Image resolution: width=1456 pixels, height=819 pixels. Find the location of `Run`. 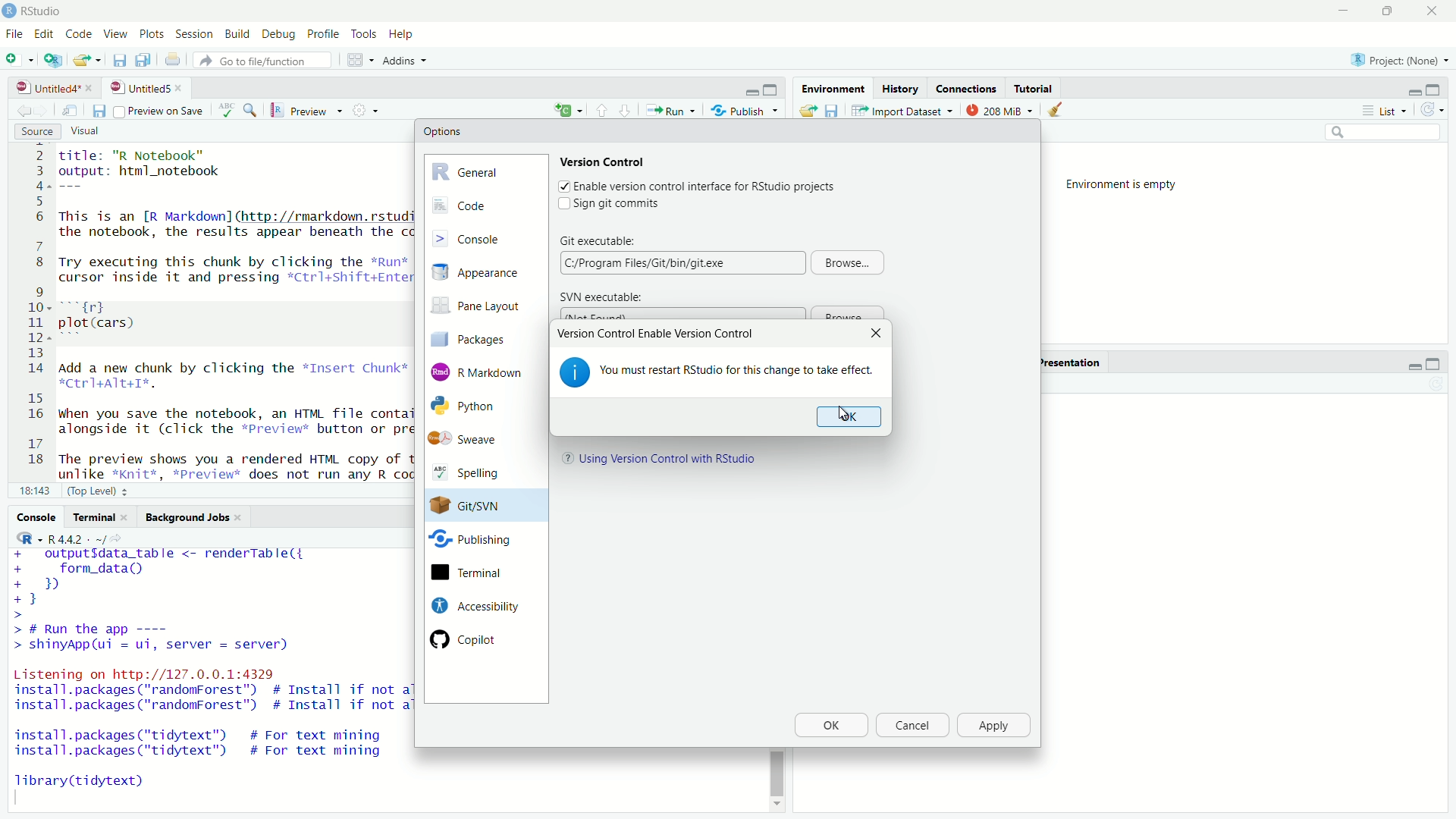

Run is located at coordinates (670, 110).